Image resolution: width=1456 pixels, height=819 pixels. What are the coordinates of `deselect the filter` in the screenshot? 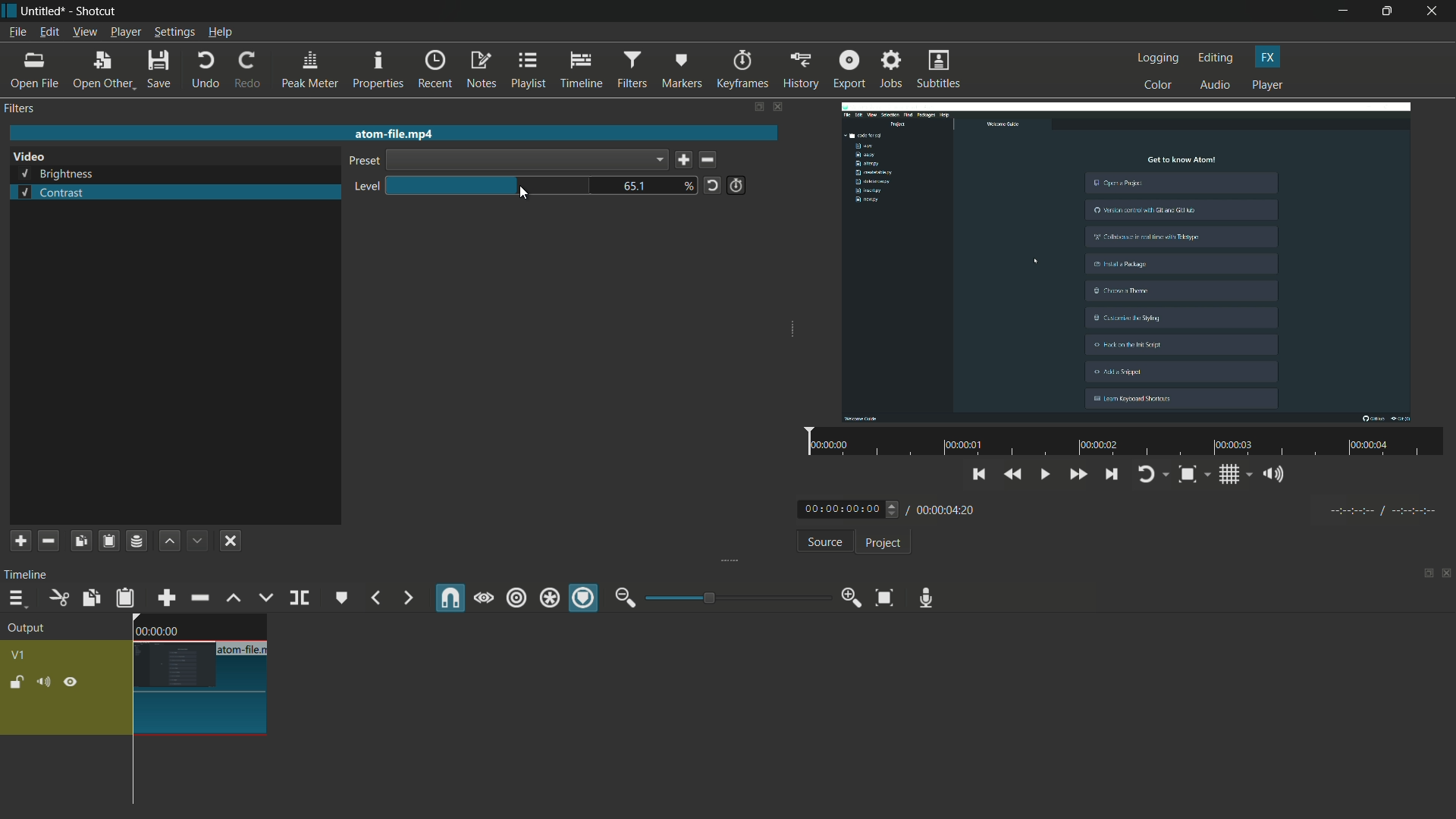 It's located at (231, 541).